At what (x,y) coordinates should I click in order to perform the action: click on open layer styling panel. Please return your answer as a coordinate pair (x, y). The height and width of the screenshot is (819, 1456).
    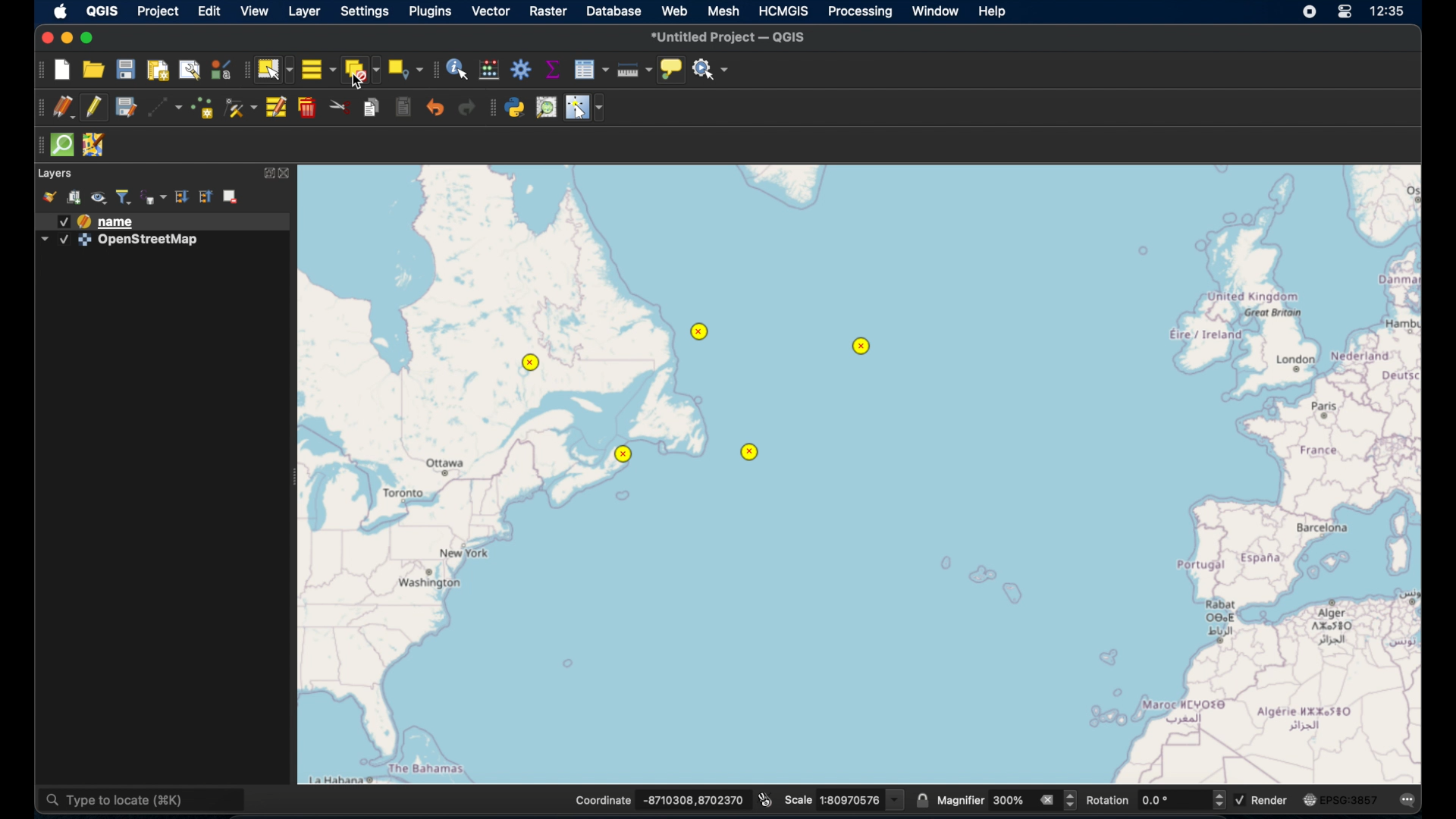
    Looking at the image, I should click on (49, 197).